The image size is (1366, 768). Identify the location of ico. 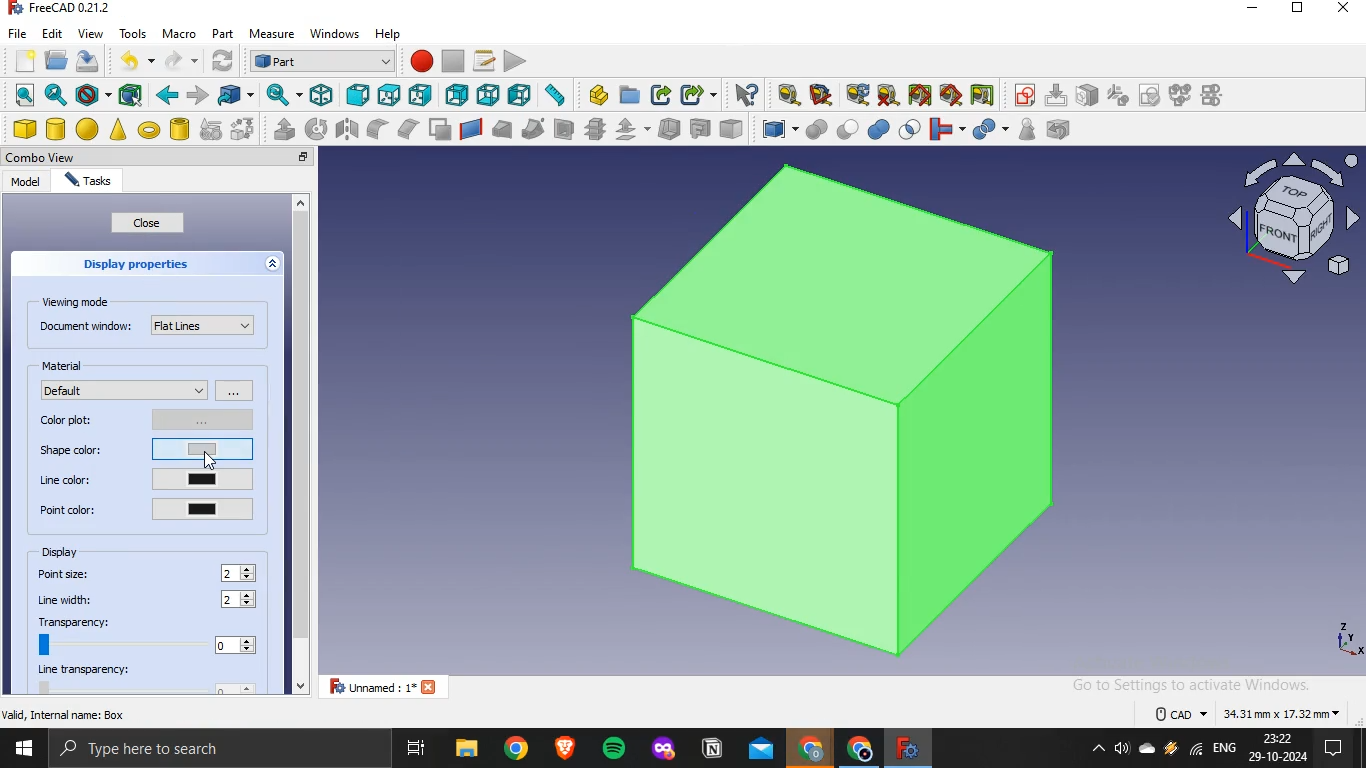
(1298, 215).